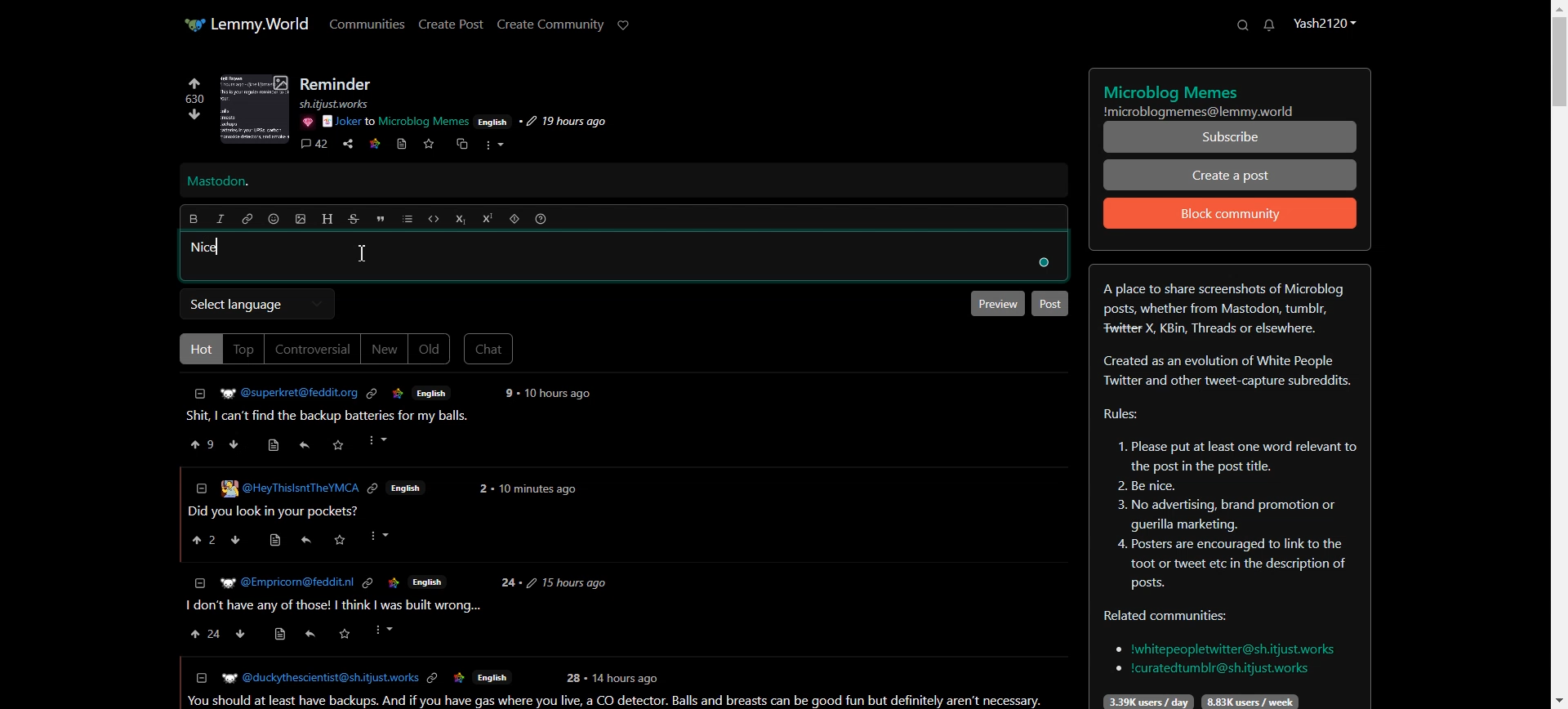 The width and height of the screenshot is (1568, 709). Describe the element at coordinates (460, 145) in the screenshot. I see `Copy` at that location.